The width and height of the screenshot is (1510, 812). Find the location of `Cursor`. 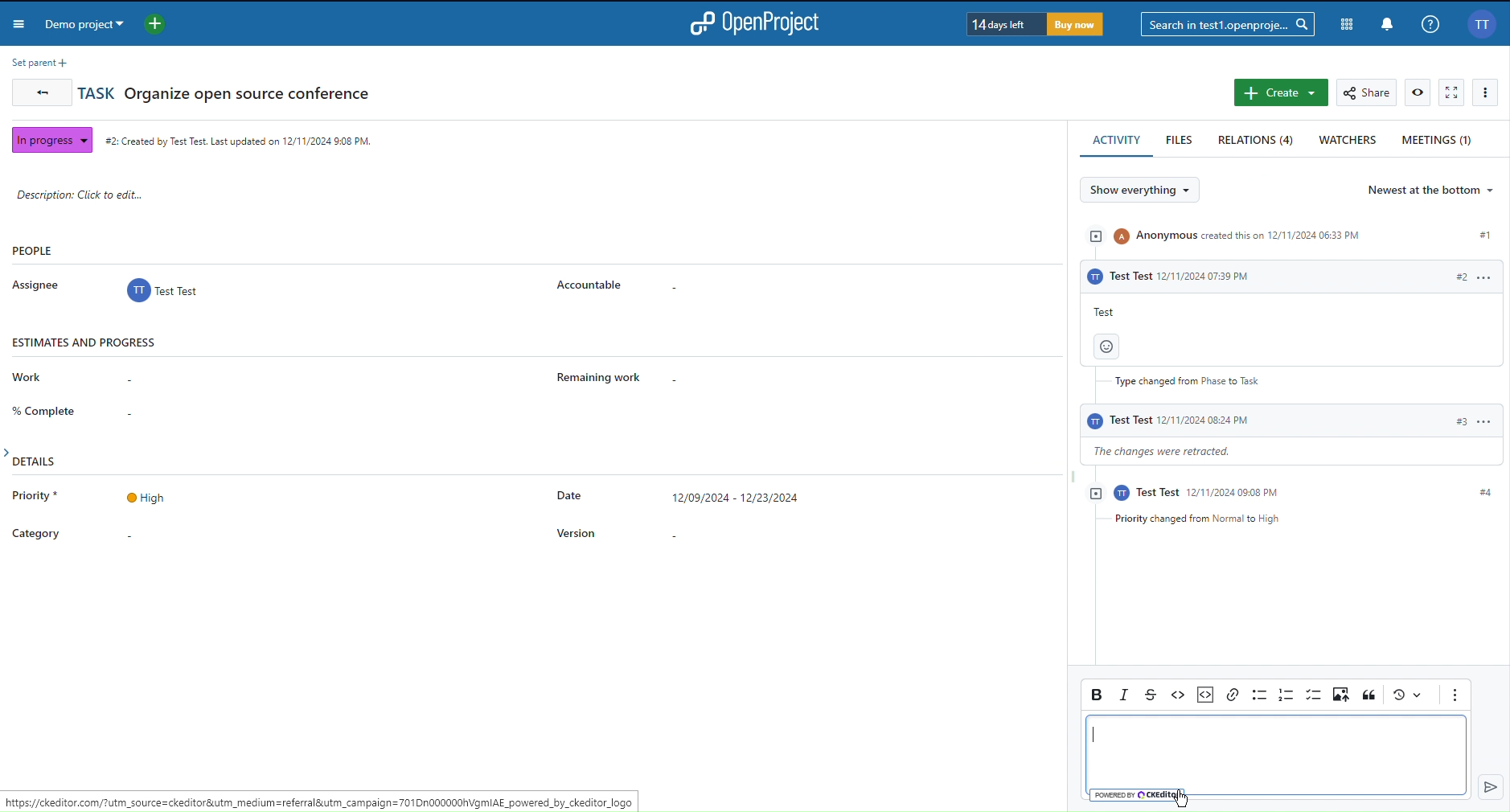

Cursor is located at coordinates (1181, 798).